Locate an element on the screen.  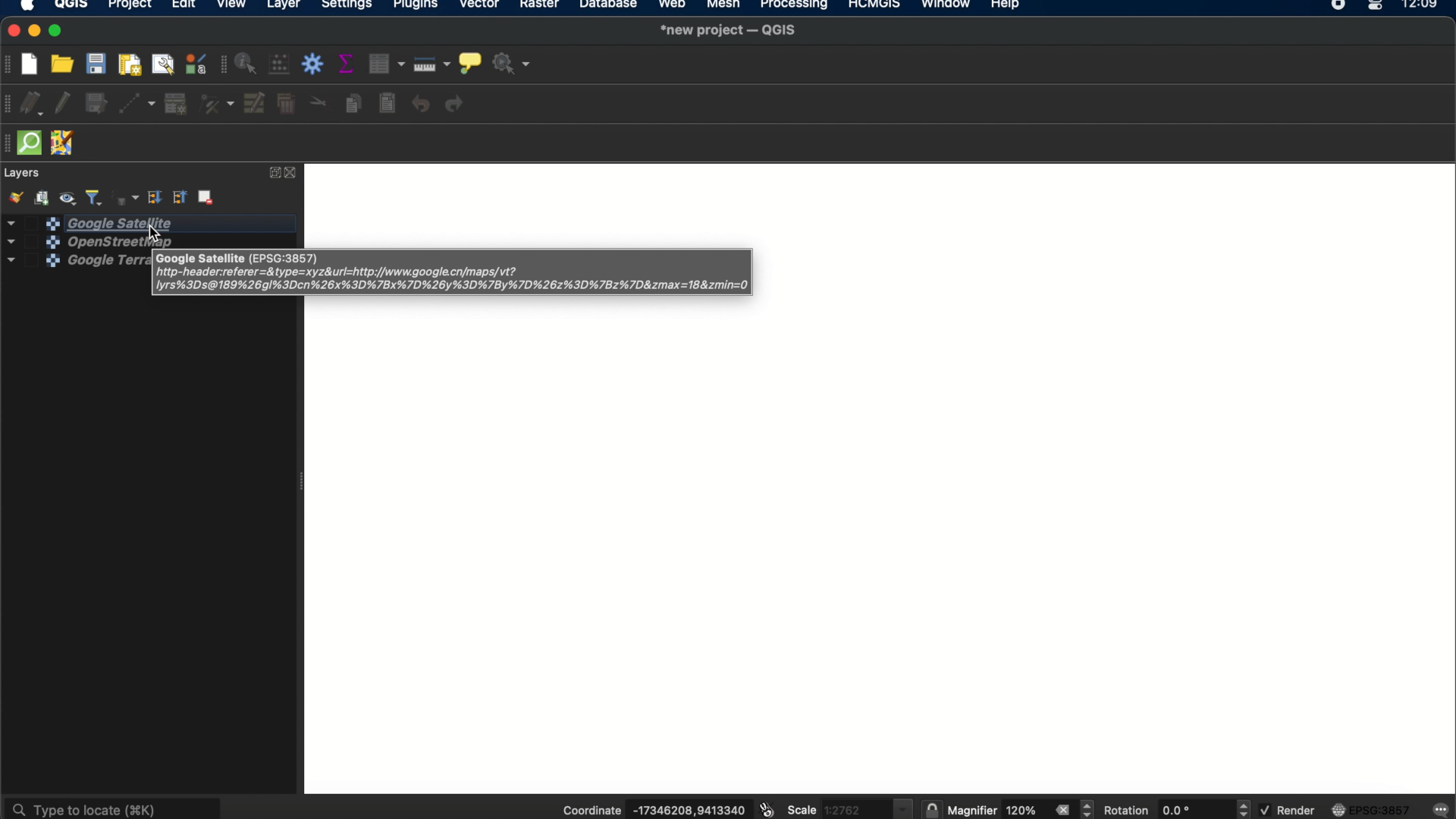
rotation 0.0 is located at coordinates (1156, 810).